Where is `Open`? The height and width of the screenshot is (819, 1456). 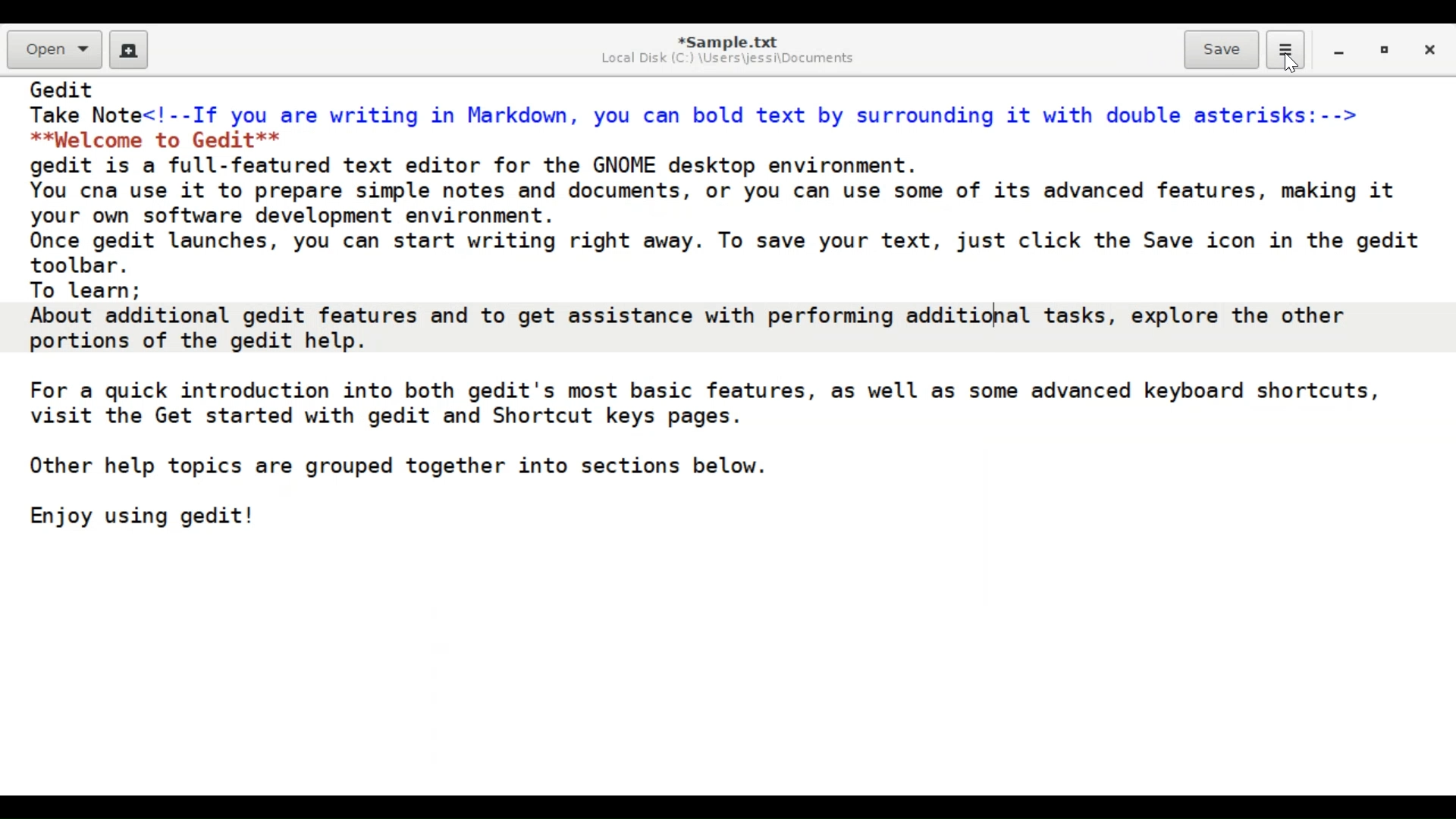
Open is located at coordinates (56, 50).